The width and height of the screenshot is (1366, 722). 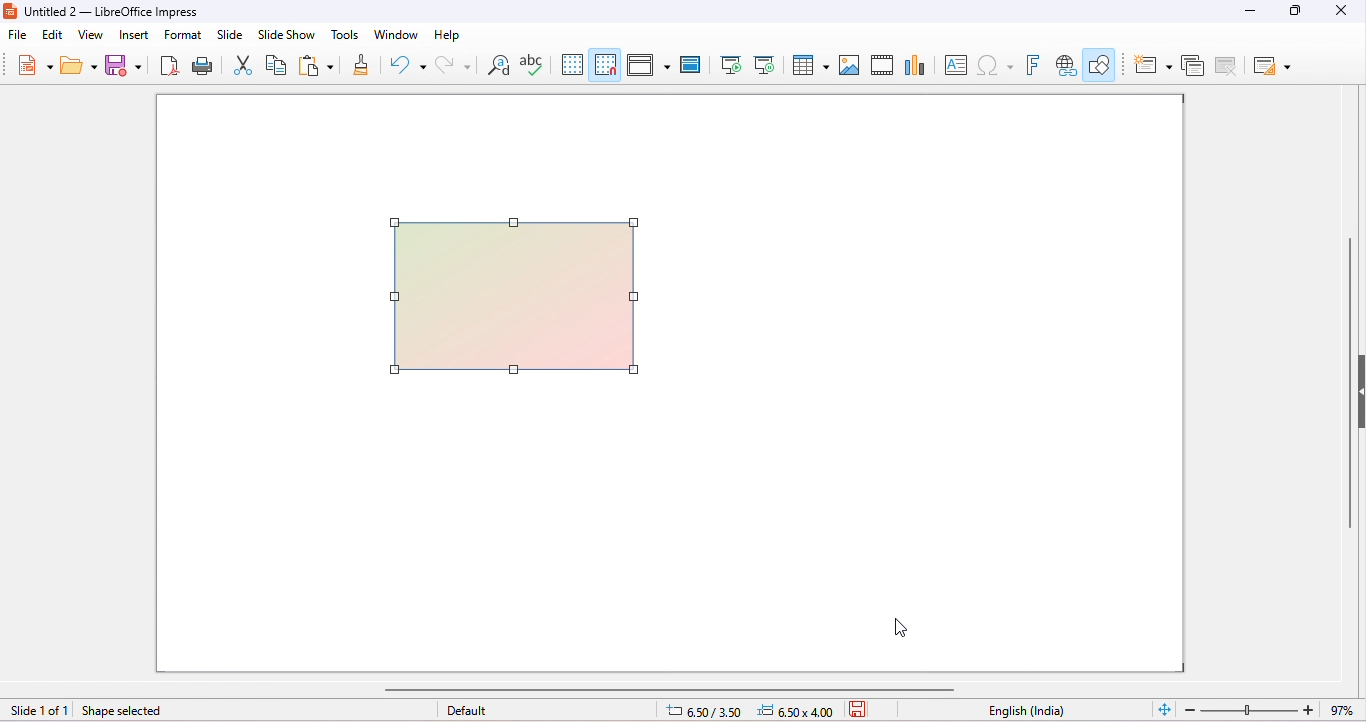 I want to click on start from beginning, so click(x=730, y=64).